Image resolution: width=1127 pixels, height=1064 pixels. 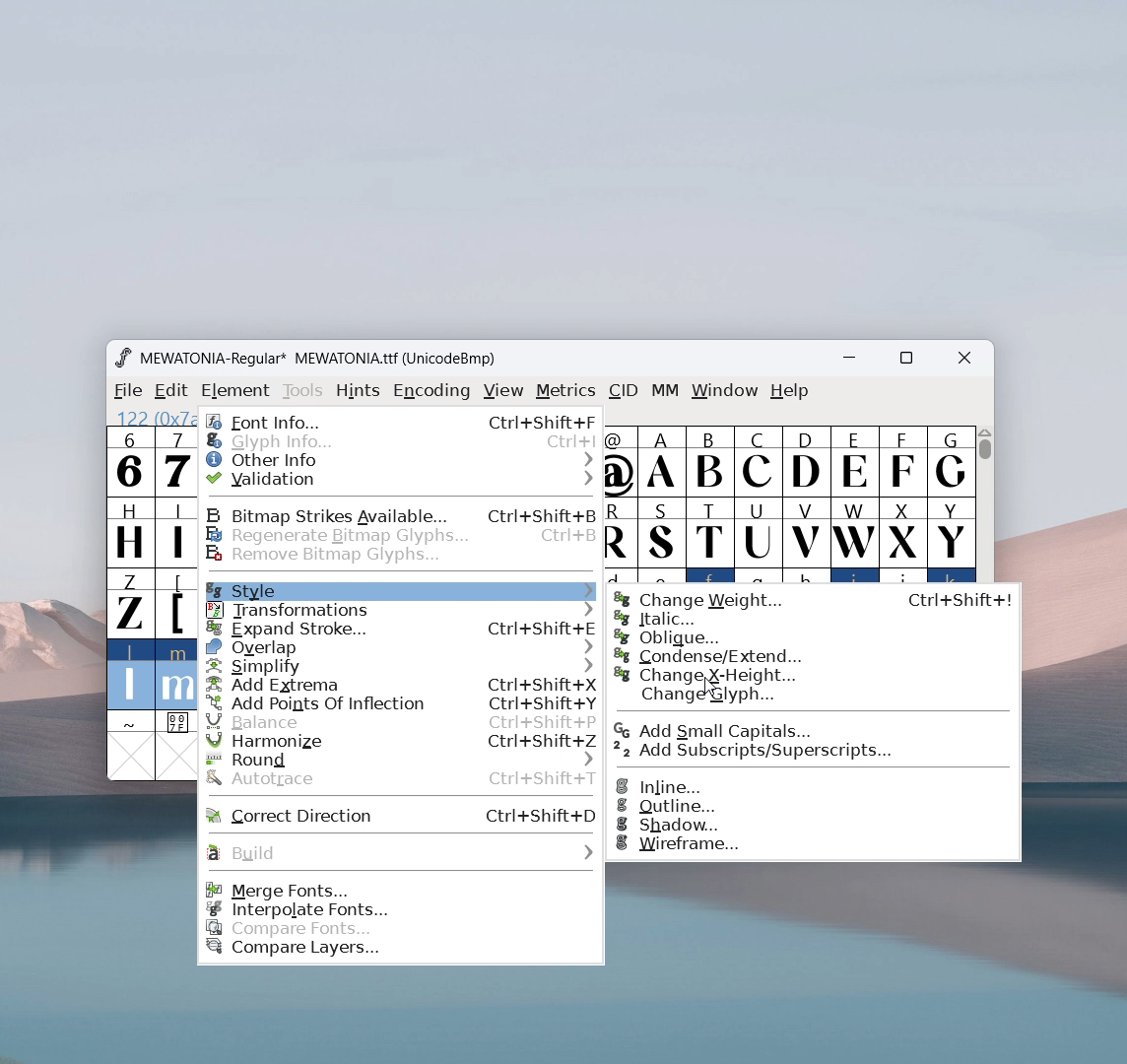 What do you see at coordinates (403, 479) in the screenshot?
I see `validation` at bounding box center [403, 479].